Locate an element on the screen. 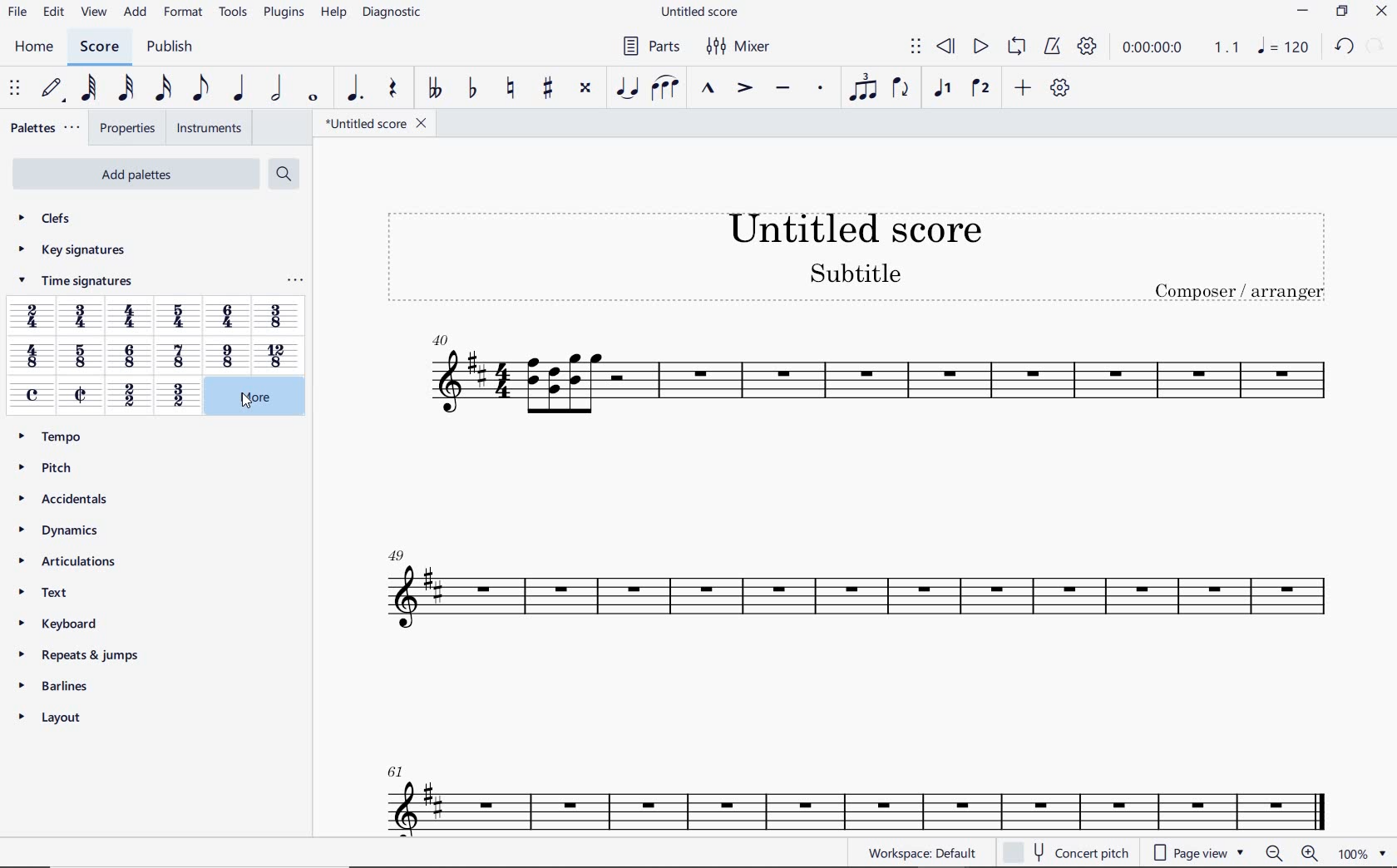 This screenshot has width=1397, height=868. DYNAMICS is located at coordinates (58, 530).